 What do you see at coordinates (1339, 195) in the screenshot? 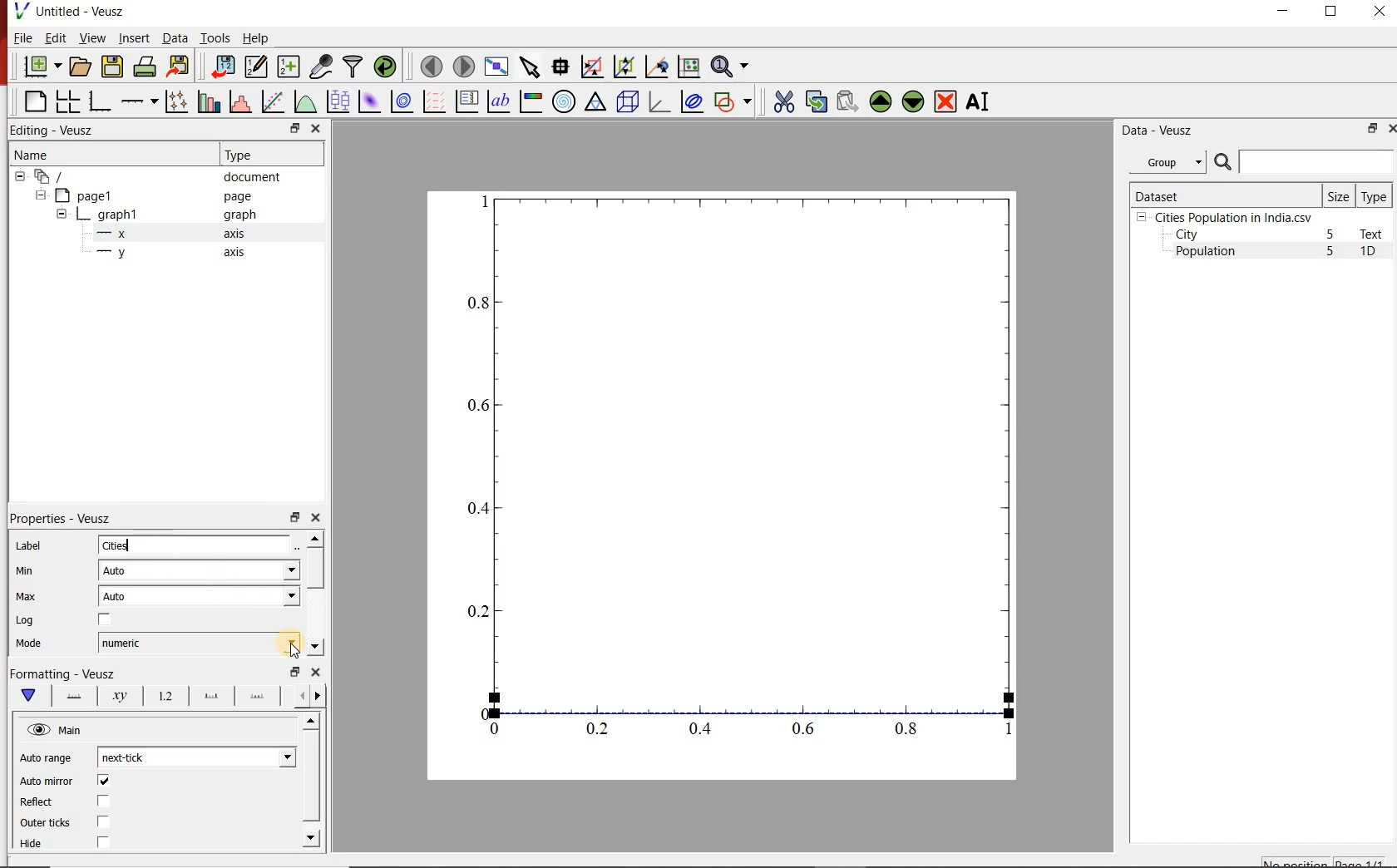
I see `Size` at bounding box center [1339, 195].